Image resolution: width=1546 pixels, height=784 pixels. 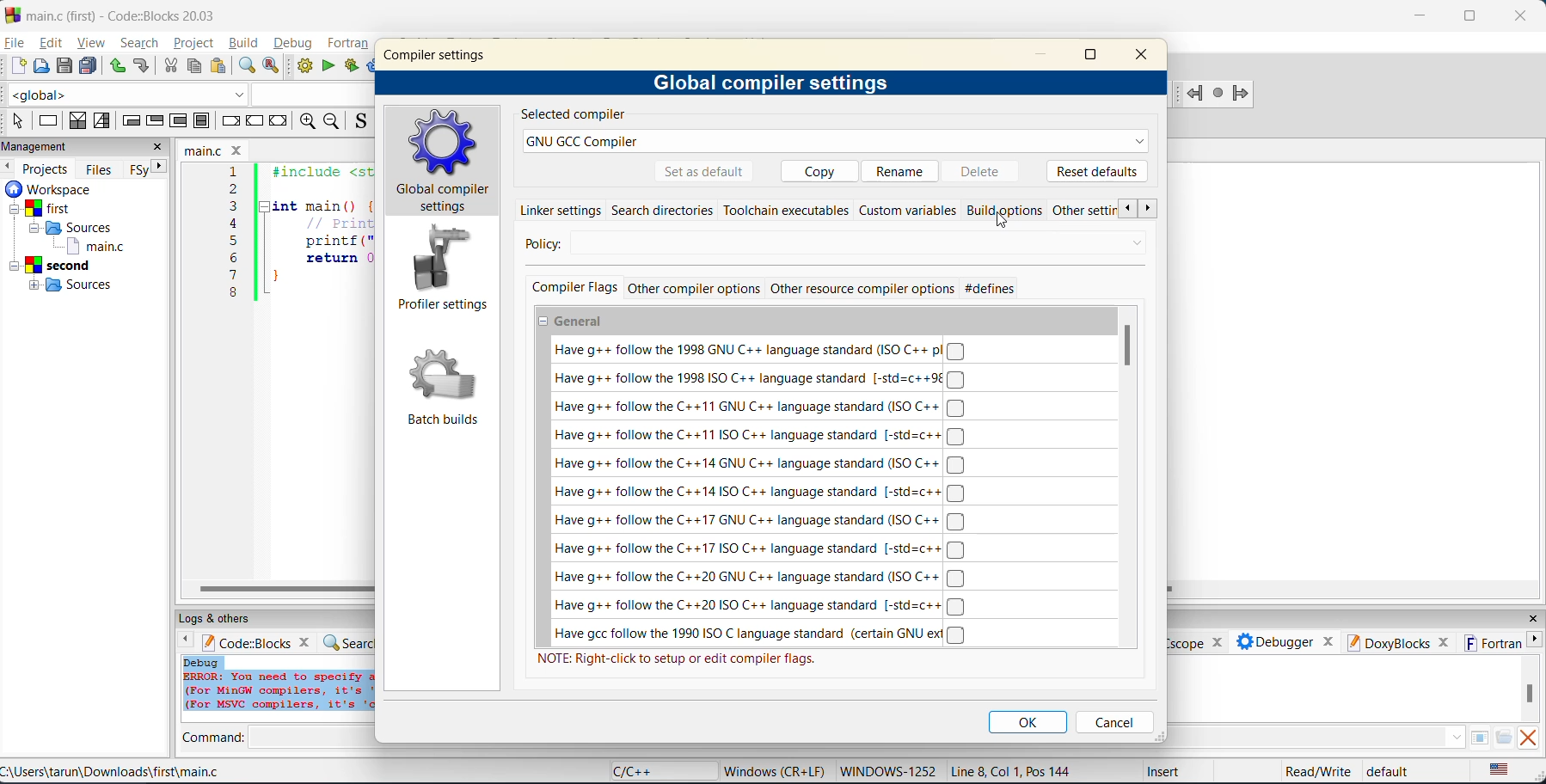 I want to click on management, so click(x=41, y=146).